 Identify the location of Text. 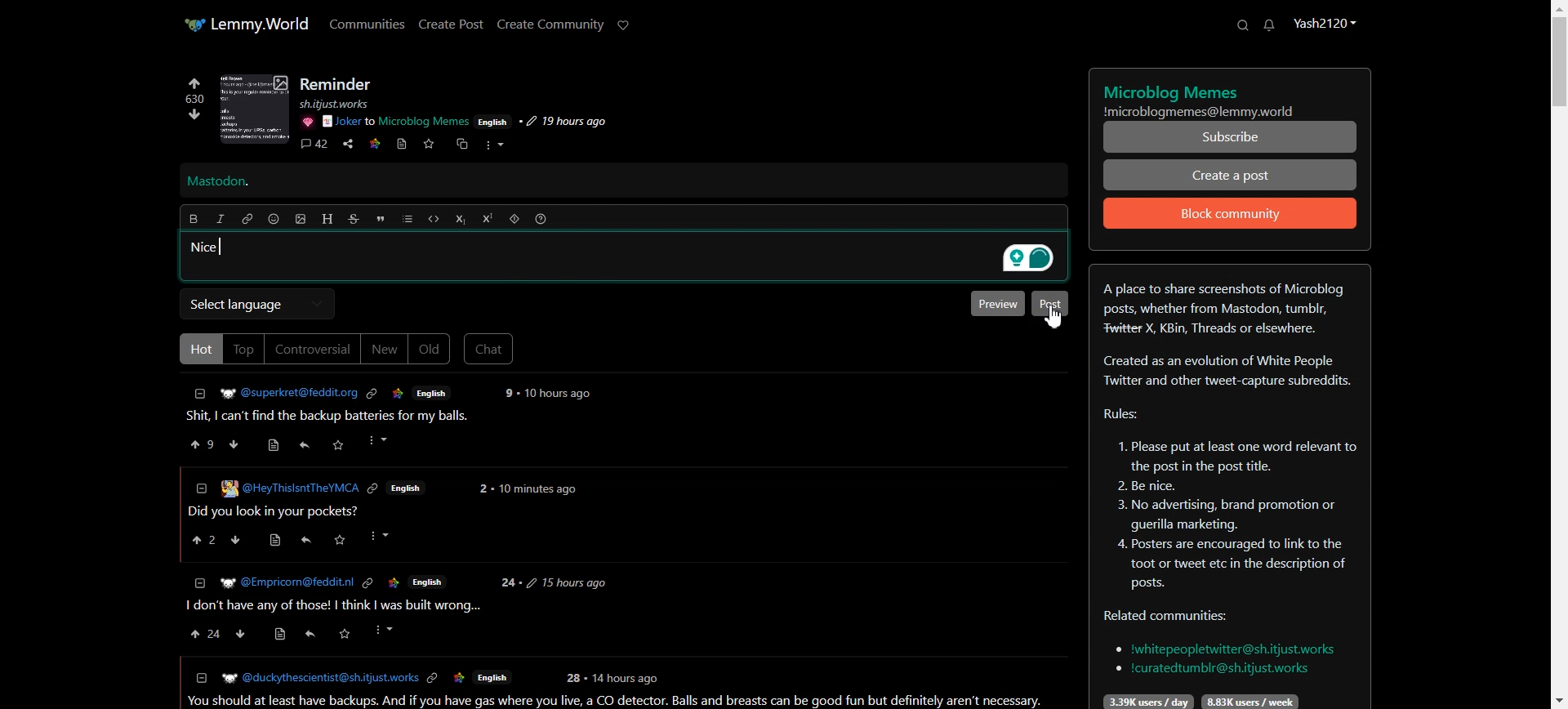
(207, 247).